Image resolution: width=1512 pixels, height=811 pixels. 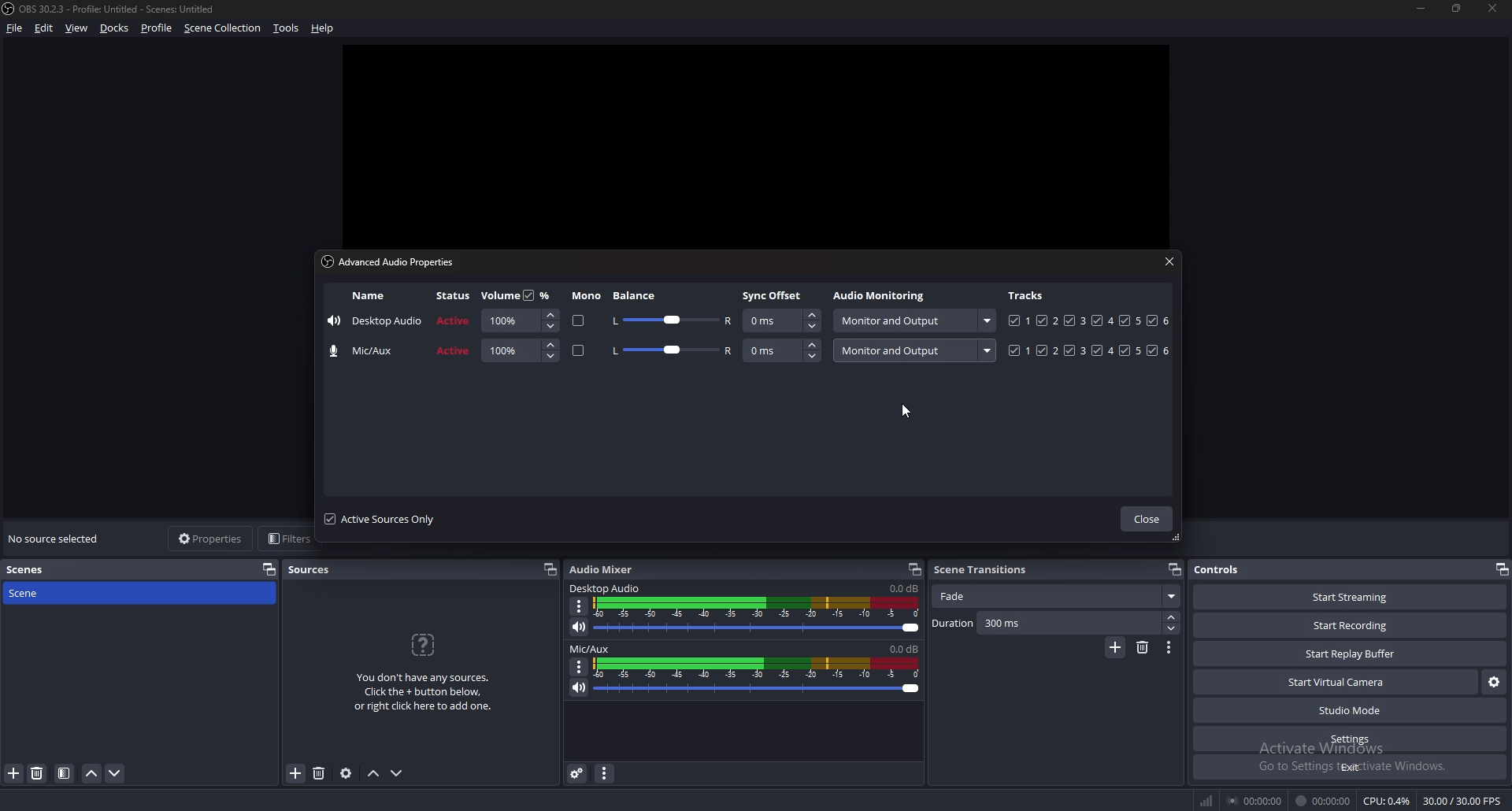 I want to click on help, so click(x=323, y=28).